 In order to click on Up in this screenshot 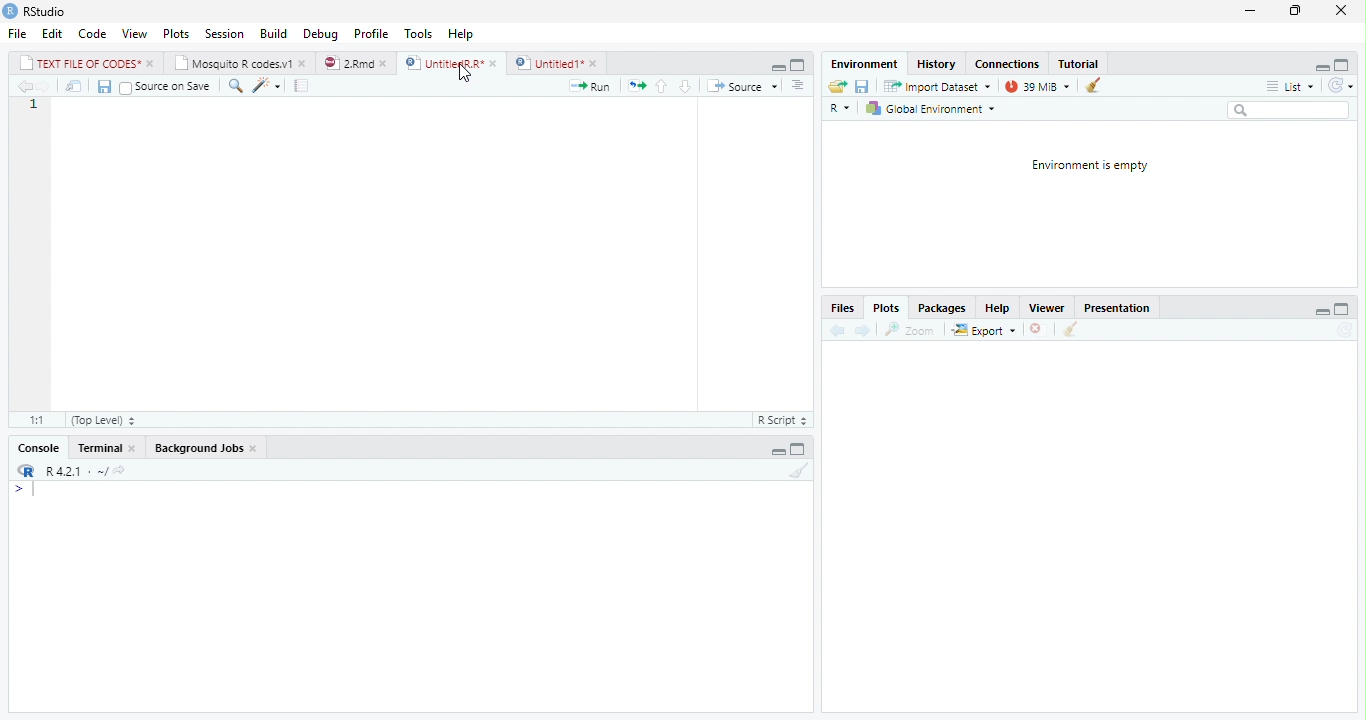, I will do `click(660, 86)`.